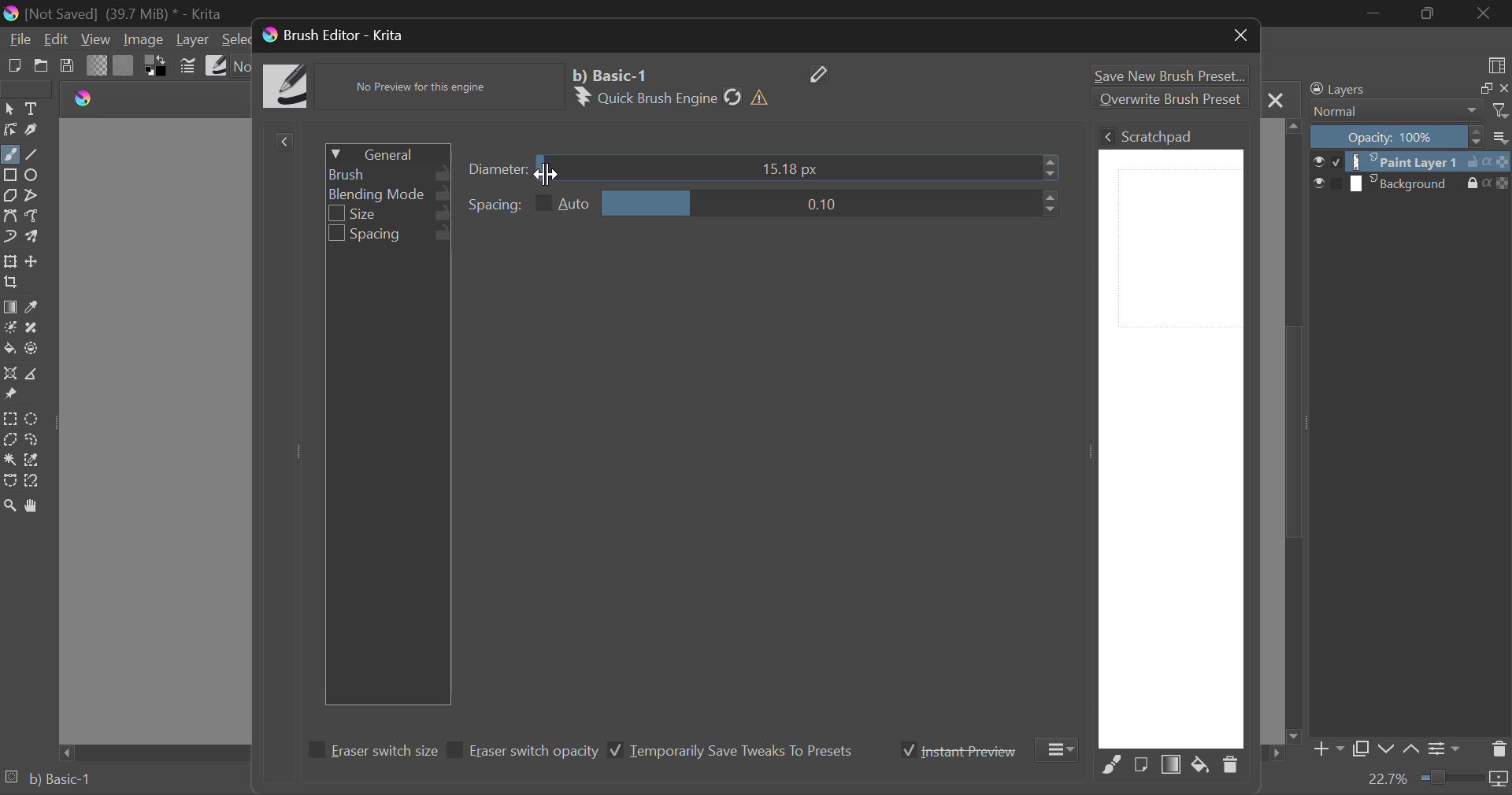 This screenshot has width=1512, height=795. I want to click on Brush Engine, so click(675, 98).